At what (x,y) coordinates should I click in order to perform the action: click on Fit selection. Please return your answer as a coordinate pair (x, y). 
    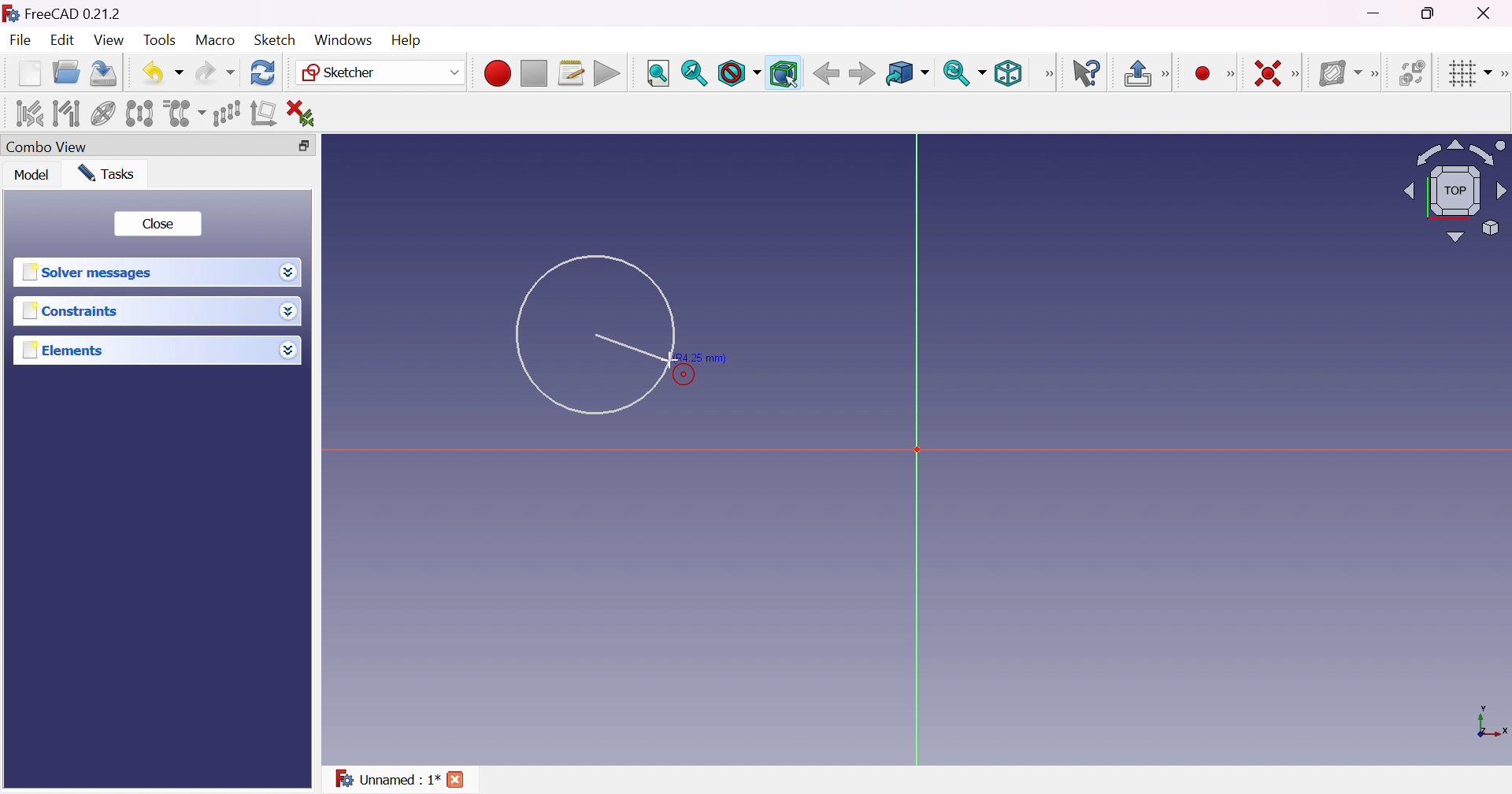
    Looking at the image, I should click on (693, 74).